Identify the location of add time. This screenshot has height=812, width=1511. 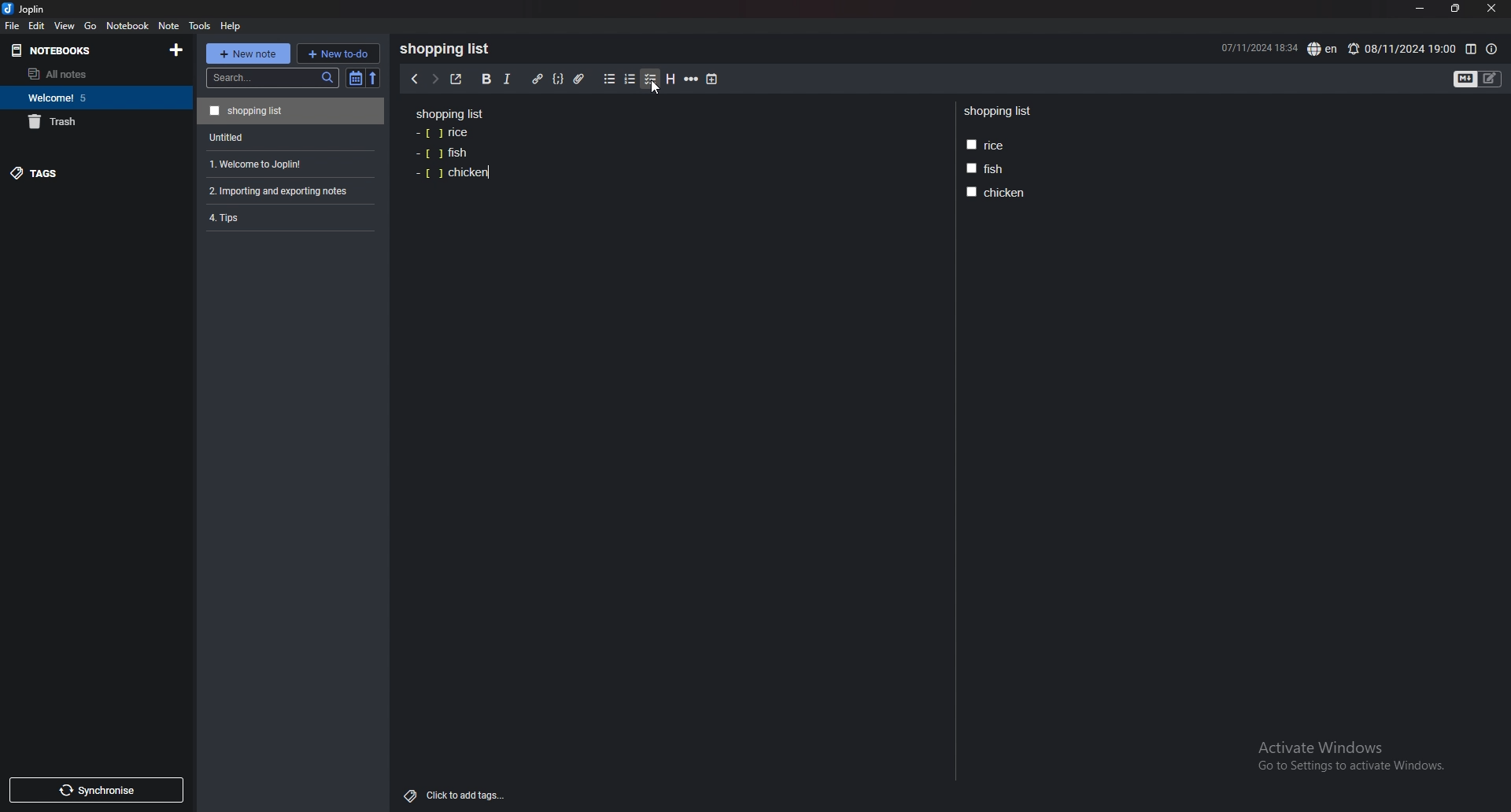
(713, 79).